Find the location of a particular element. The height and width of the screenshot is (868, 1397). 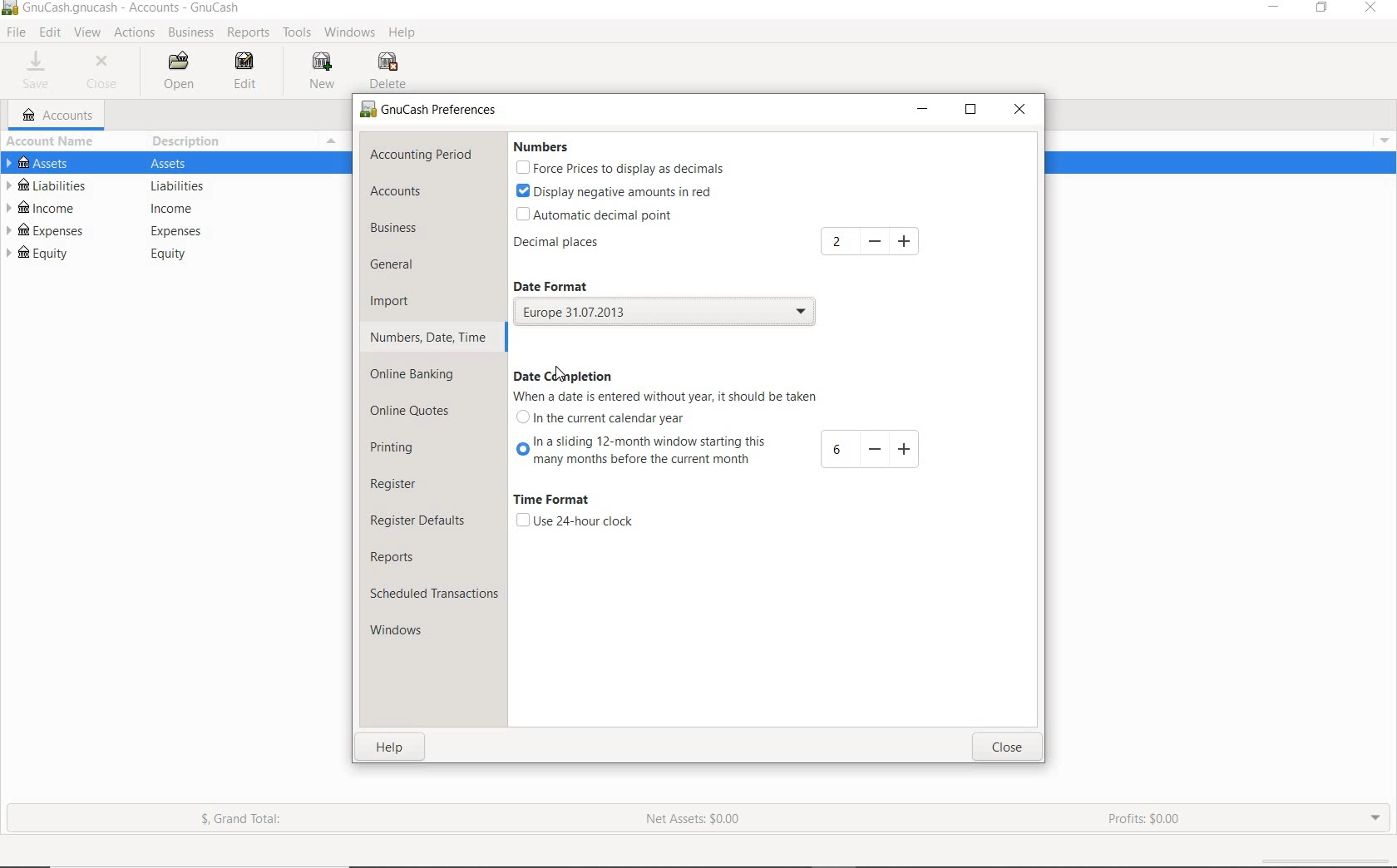

decimal places is located at coordinates (583, 245).